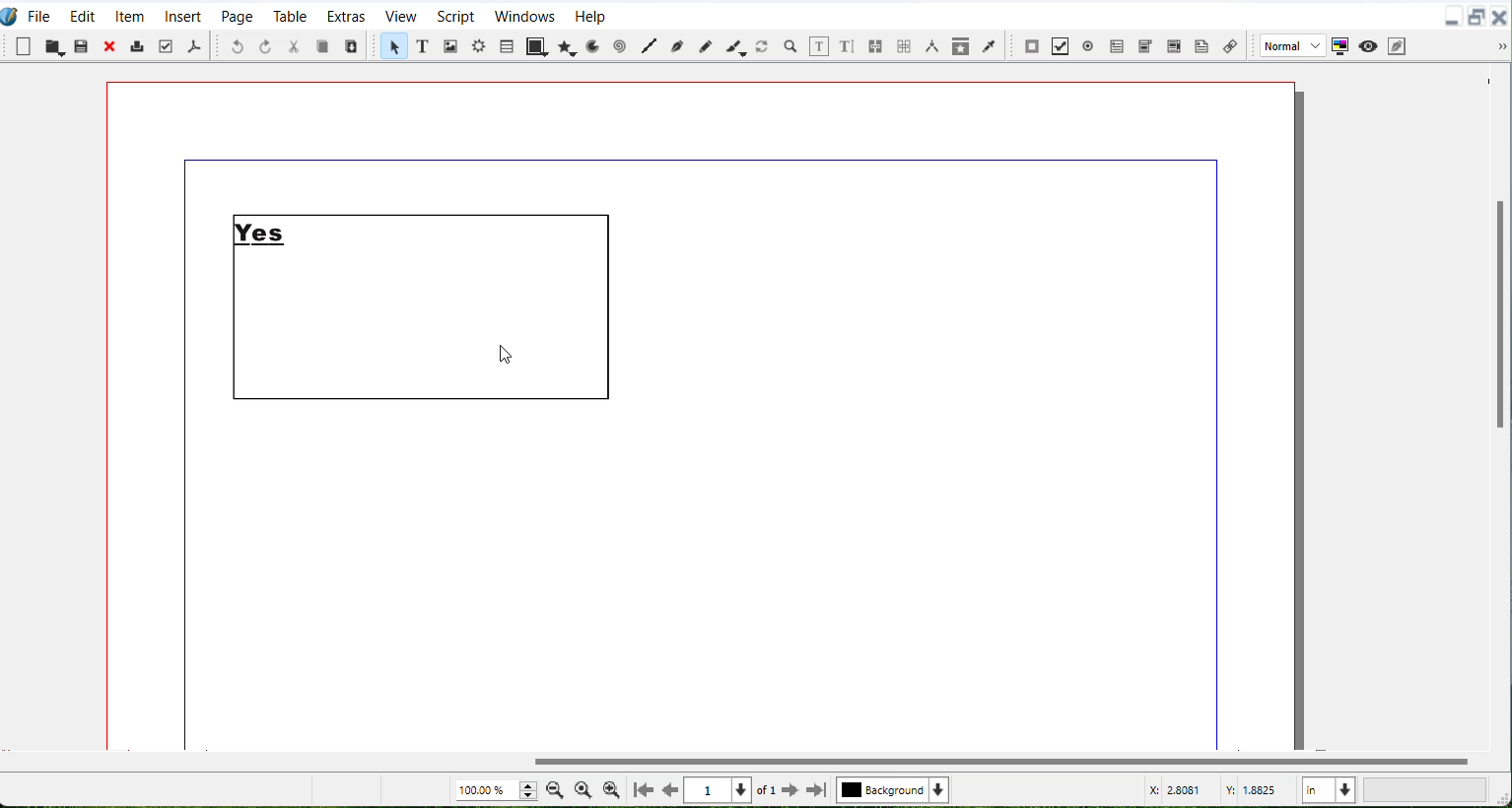 This screenshot has height=808, width=1512. I want to click on Go to next Page, so click(790, 791).